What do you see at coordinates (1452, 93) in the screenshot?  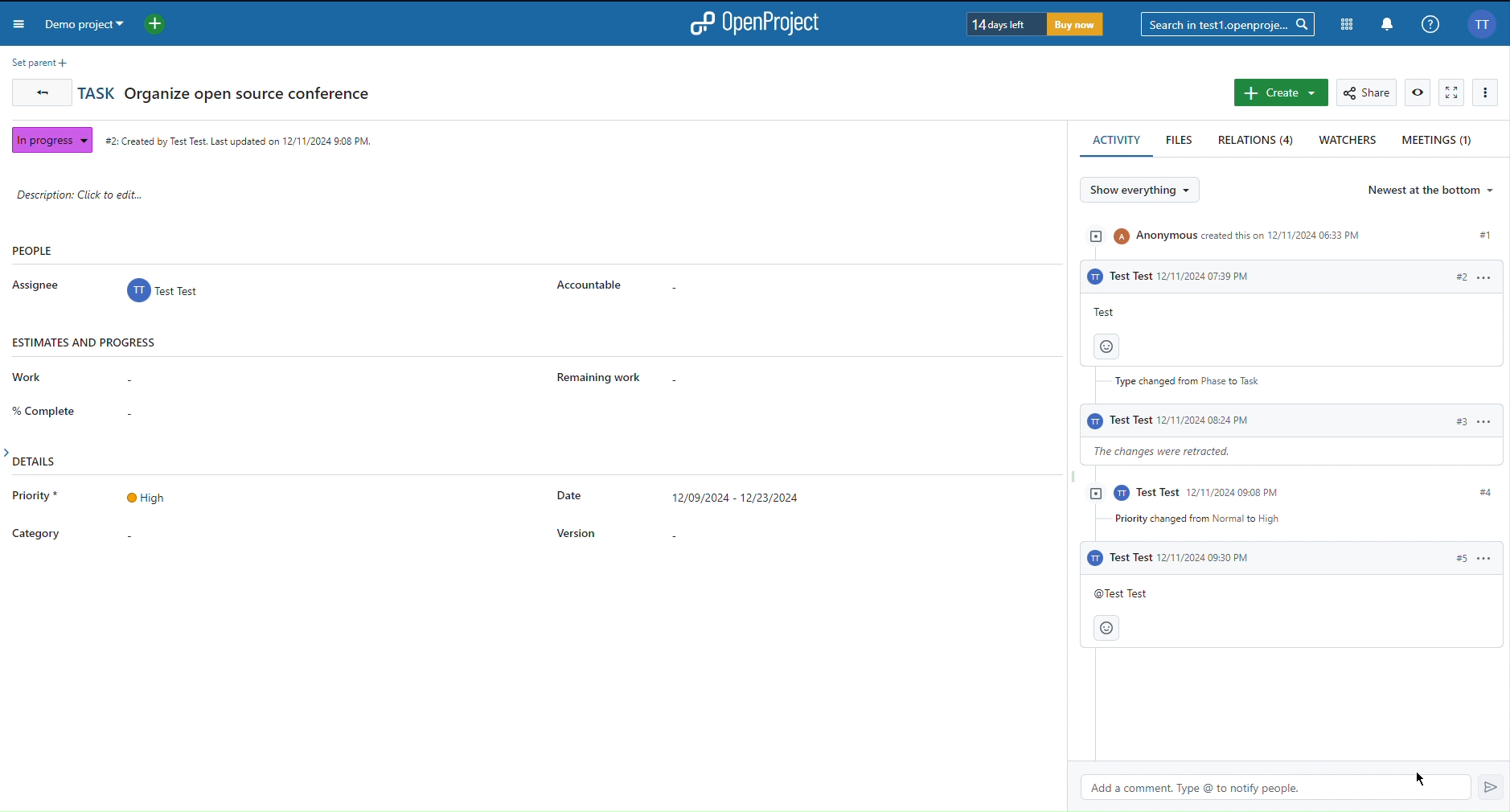 I see `Fullscreen` at bounding box center [1452, 93].